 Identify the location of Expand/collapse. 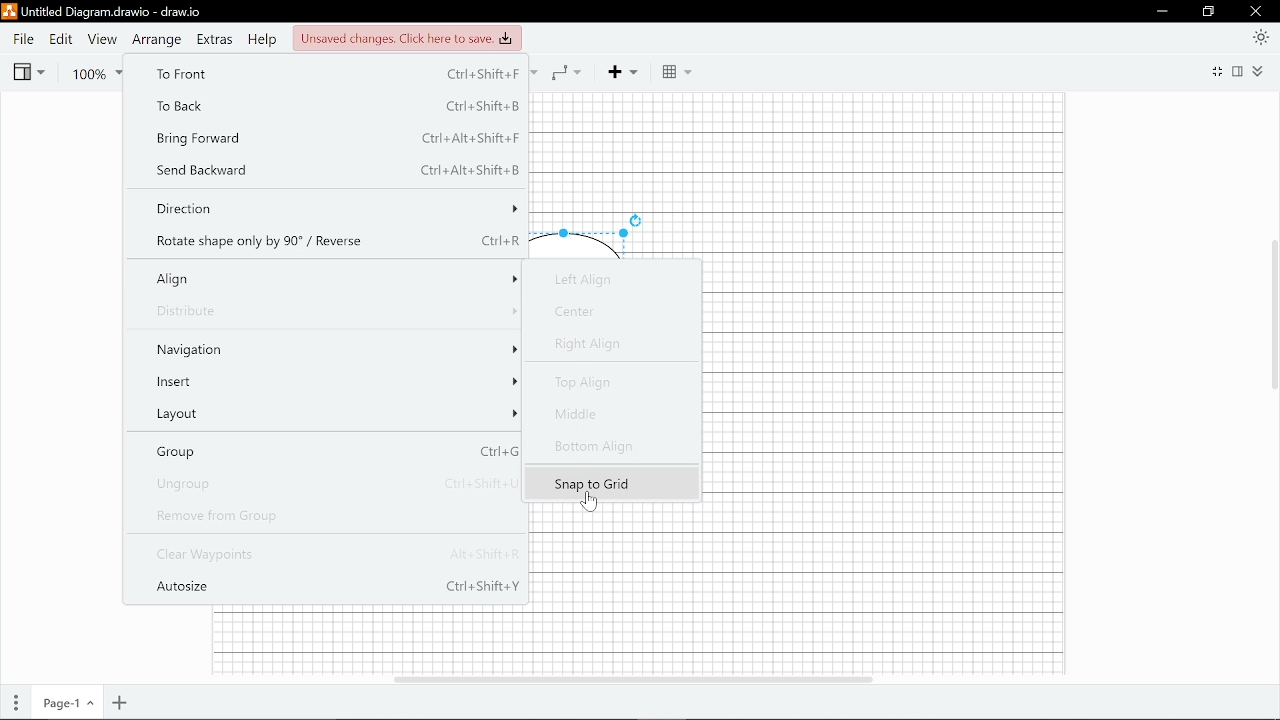
(1259, 71).